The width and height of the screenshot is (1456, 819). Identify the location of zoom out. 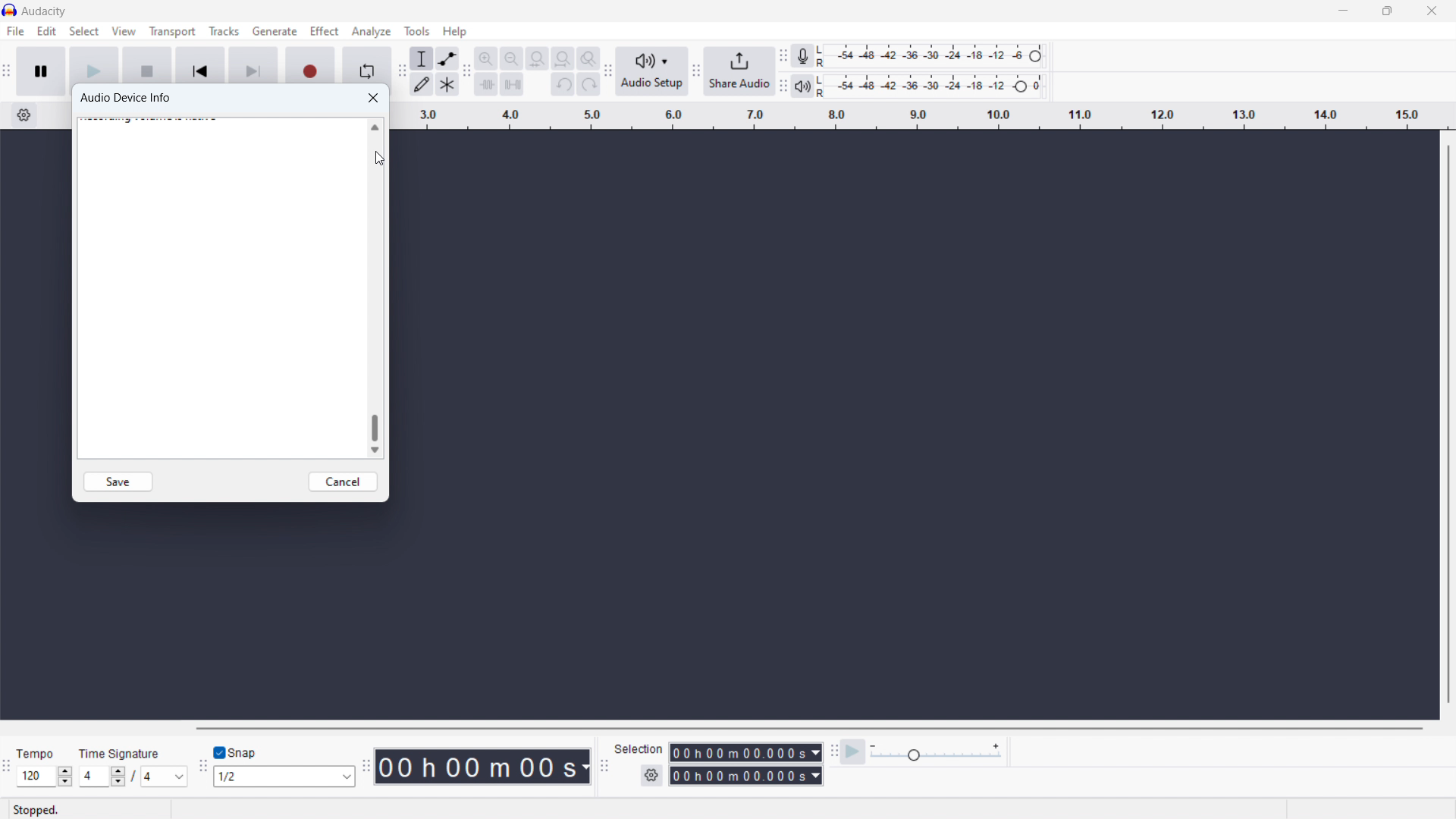
(511, 58).